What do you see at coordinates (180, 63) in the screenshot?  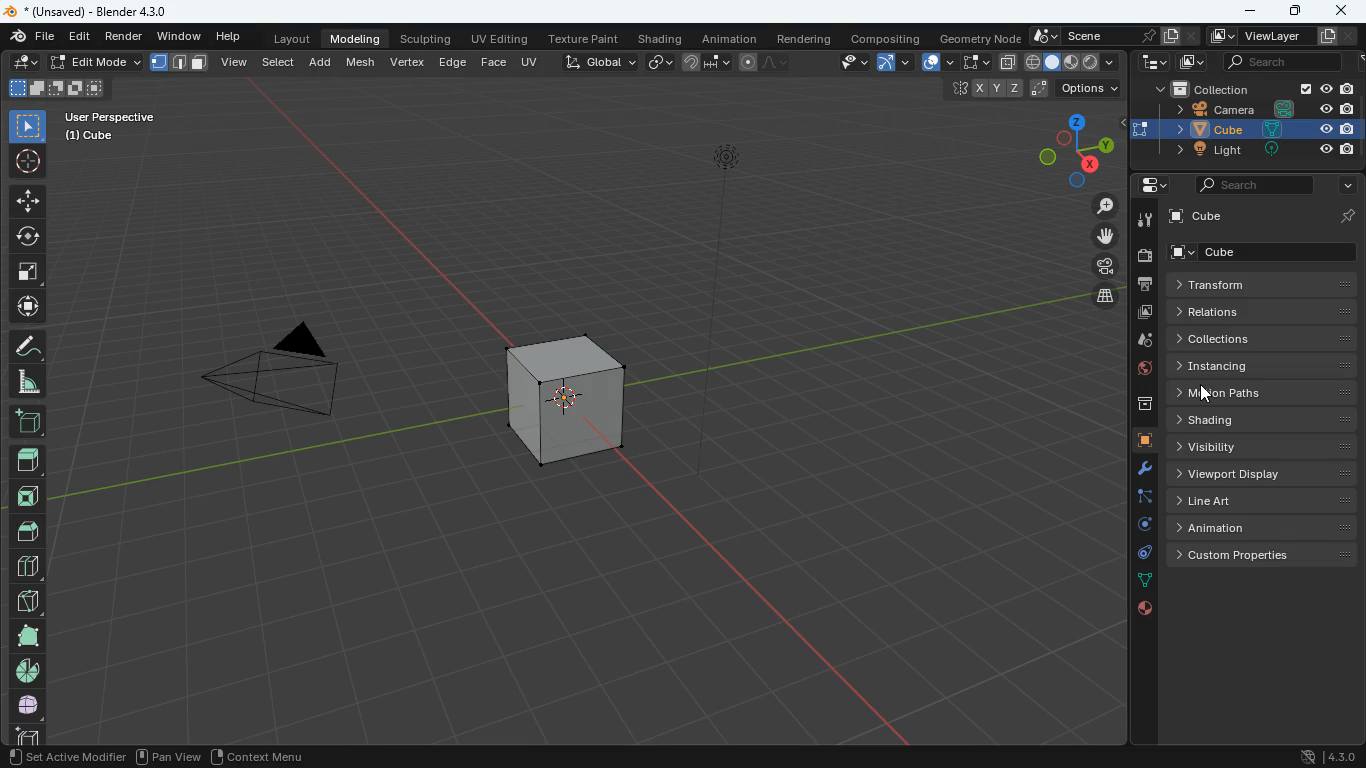 I see `perks` at bounding box center [180, 63].